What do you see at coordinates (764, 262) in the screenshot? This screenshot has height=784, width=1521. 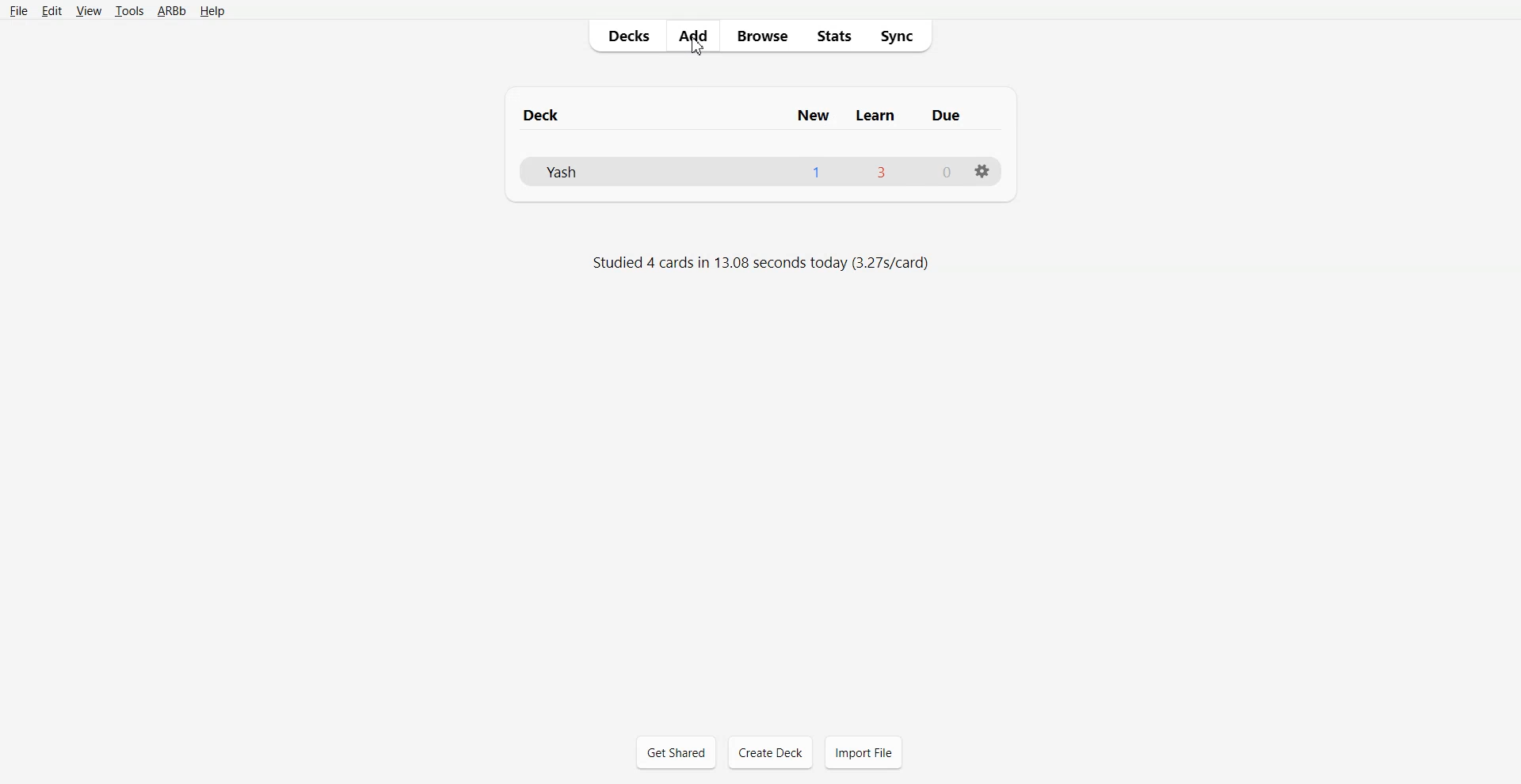 I see `Text 2` at bounding box center [764, 262].